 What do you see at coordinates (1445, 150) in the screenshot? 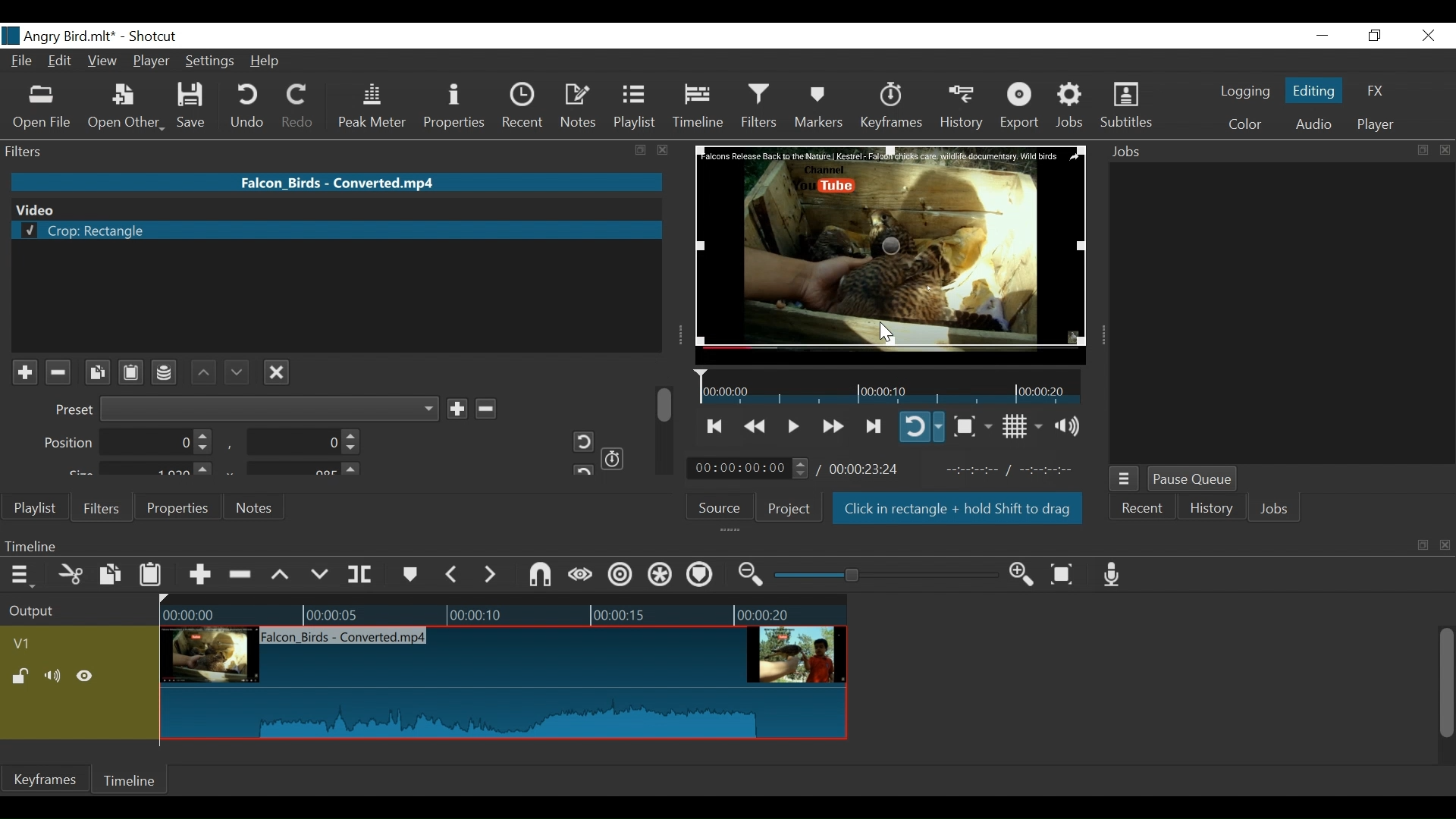
I see `close` at bounding box center [1445, 150].